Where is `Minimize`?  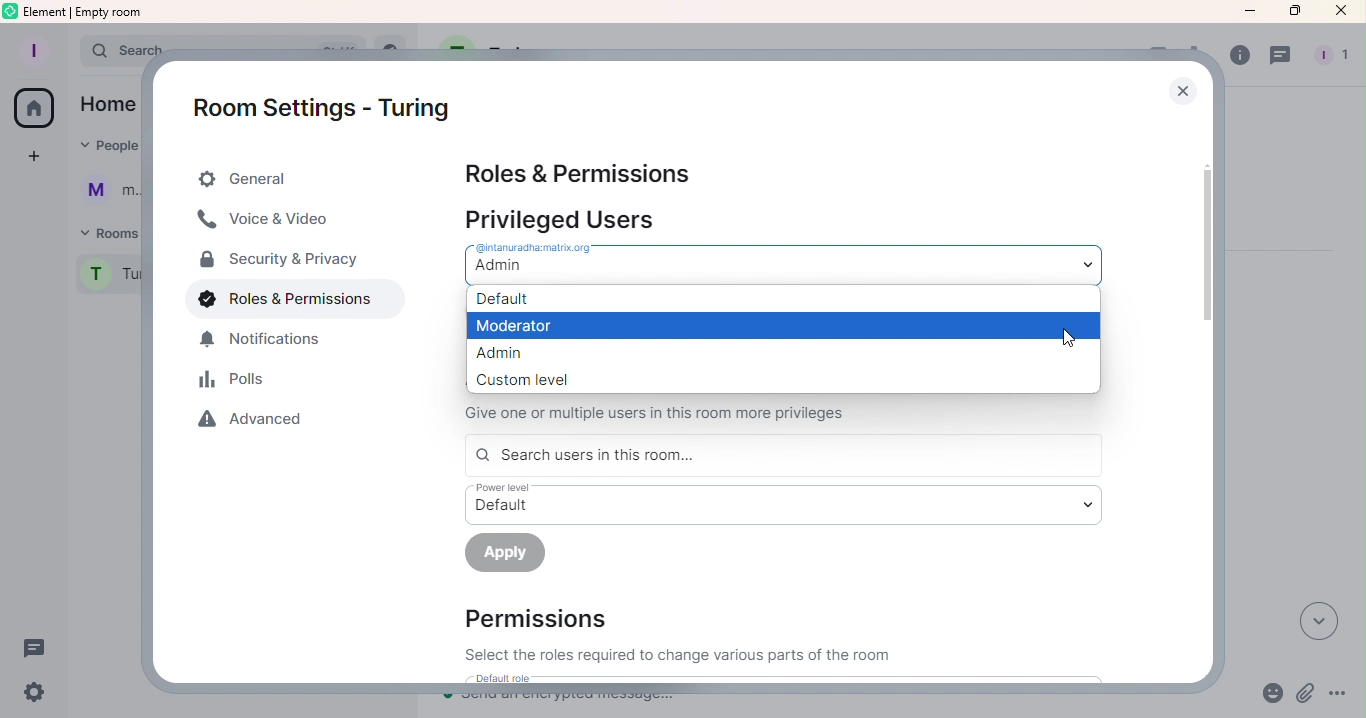 Minimize is located at coordinates (1248, 16).